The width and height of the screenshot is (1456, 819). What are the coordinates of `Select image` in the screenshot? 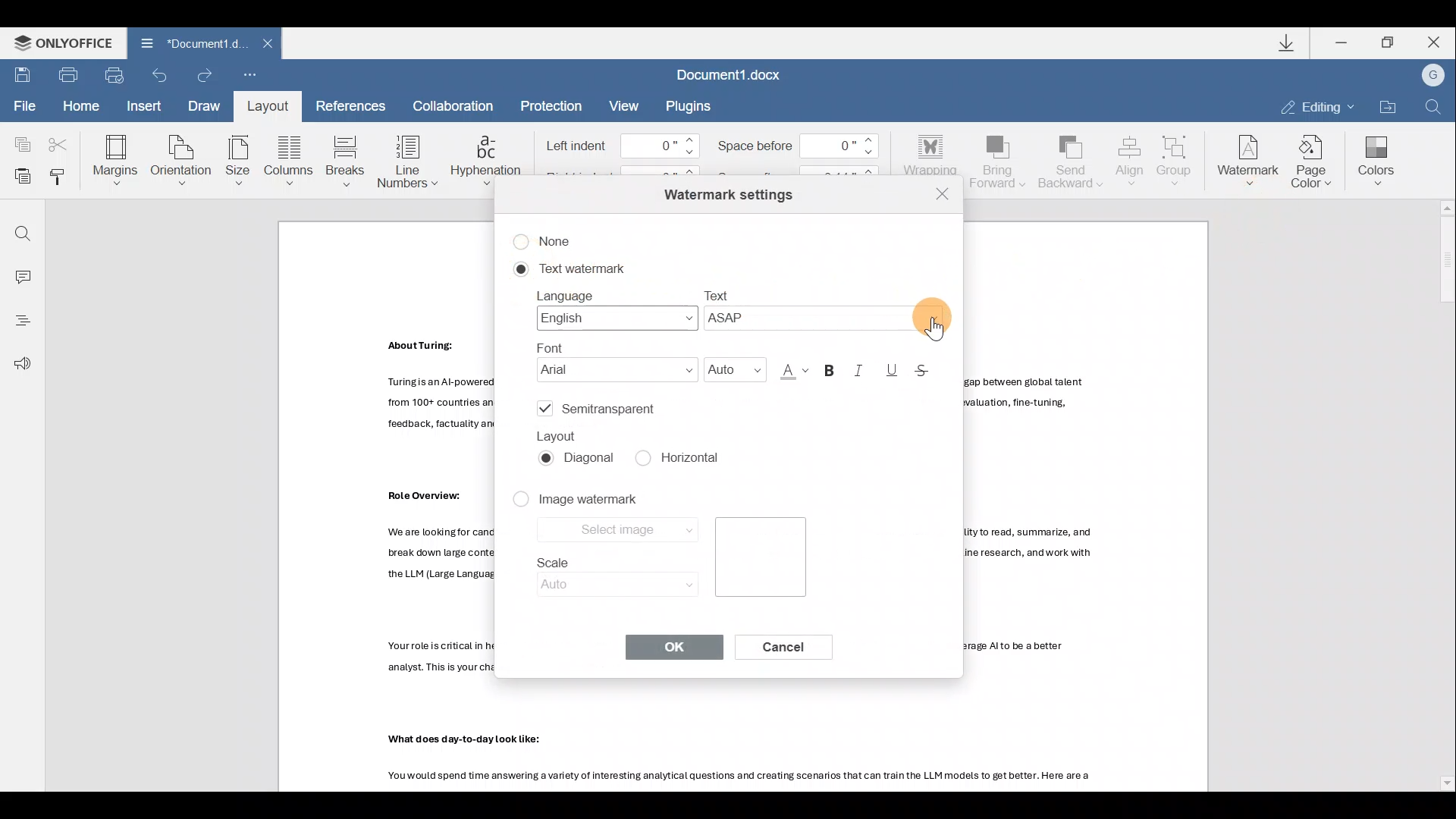 It's located at (616, 532).